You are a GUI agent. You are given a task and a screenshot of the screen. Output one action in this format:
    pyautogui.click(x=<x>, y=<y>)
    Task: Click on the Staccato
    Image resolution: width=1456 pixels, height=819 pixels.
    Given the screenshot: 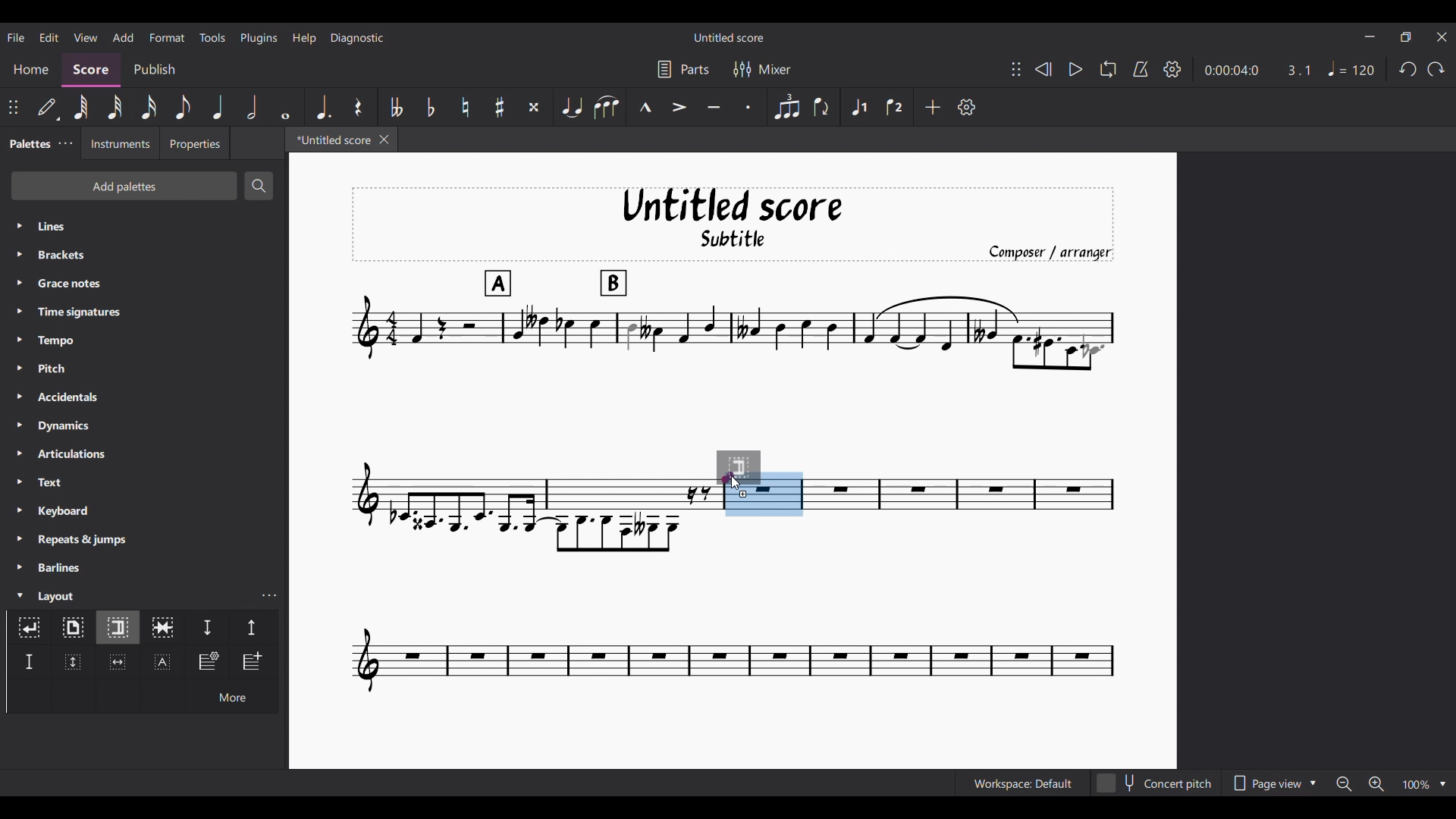 What is the action you would take?
    pyautogui.click(x=748, y=107)
    